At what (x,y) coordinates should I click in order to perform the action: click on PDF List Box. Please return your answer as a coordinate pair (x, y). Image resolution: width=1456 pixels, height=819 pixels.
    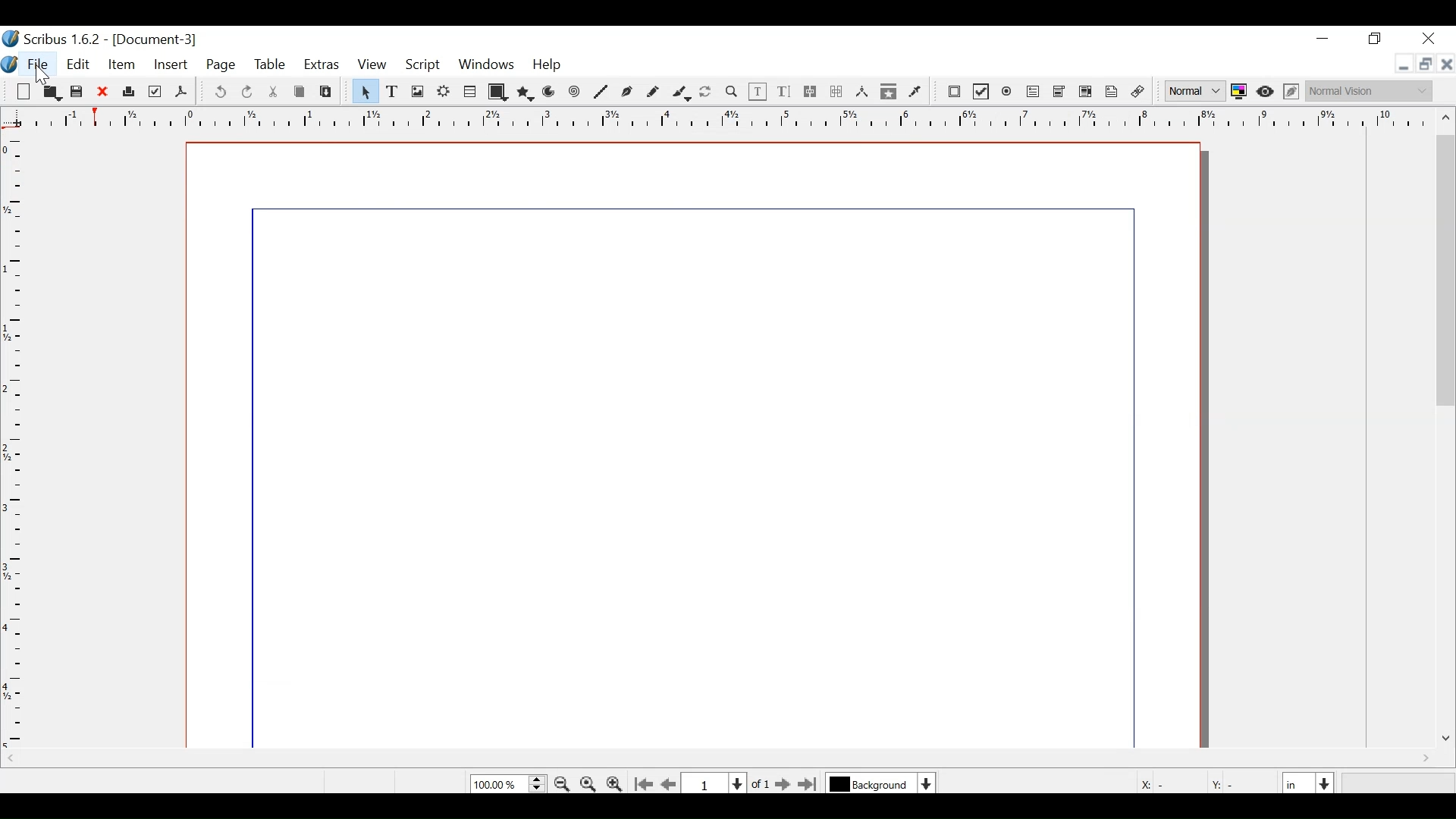
    Looking at the image, I should click on (1087, 93).